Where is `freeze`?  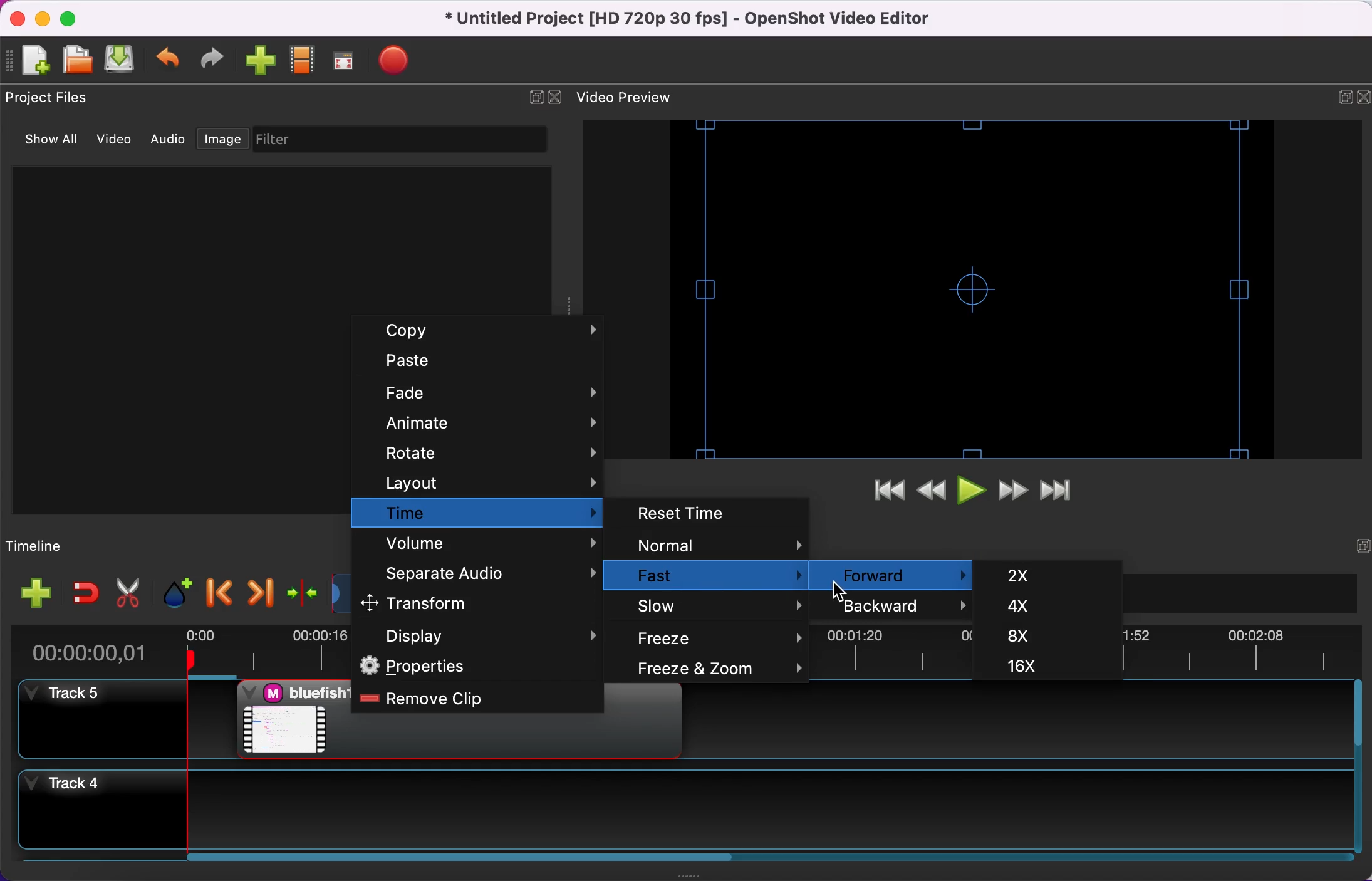 freeze is located at coordinates (721, 638).